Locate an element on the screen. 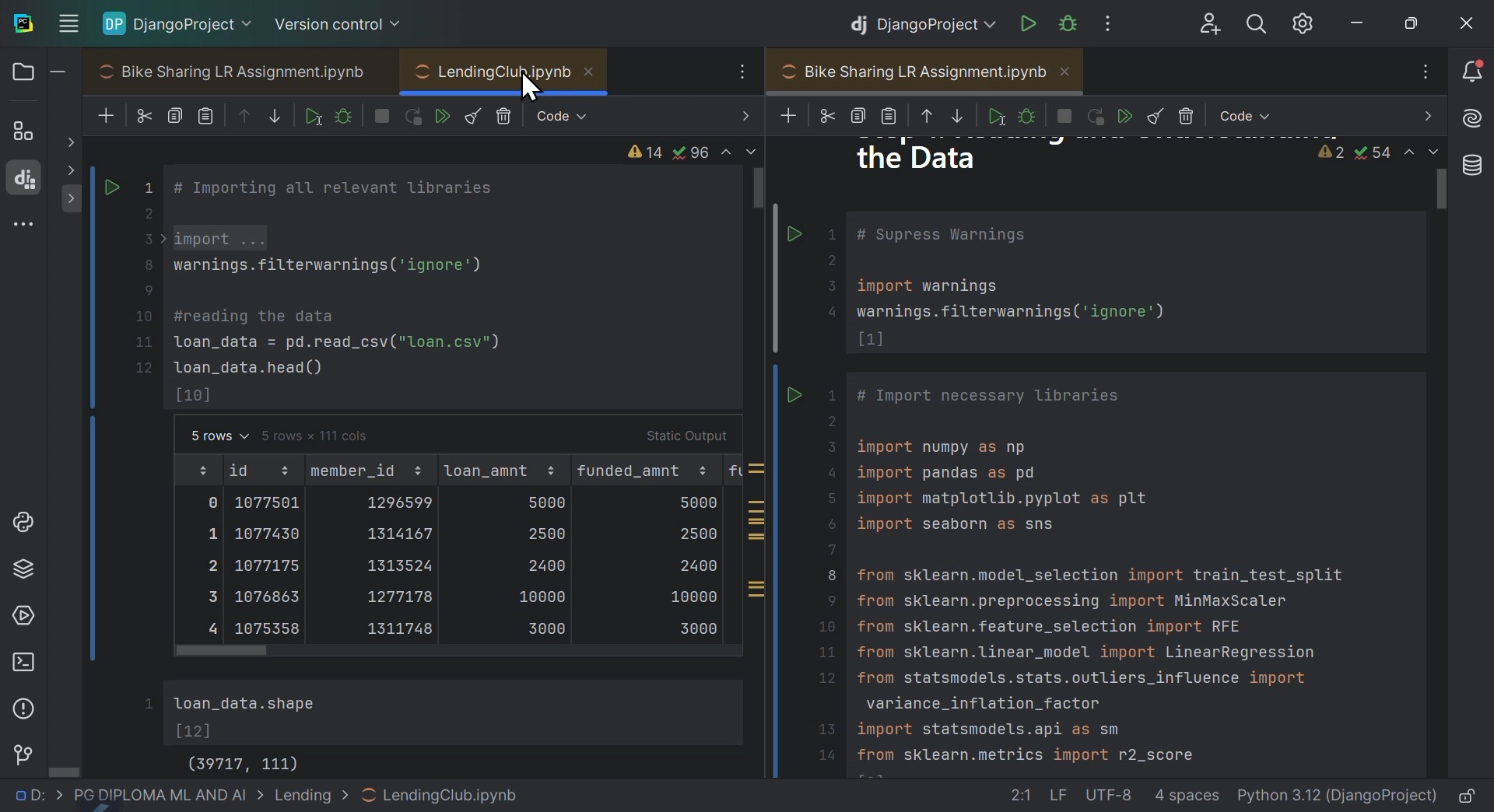 The height and width of the screenshot is (812, 1494). options is located at coordinates (745, 72).